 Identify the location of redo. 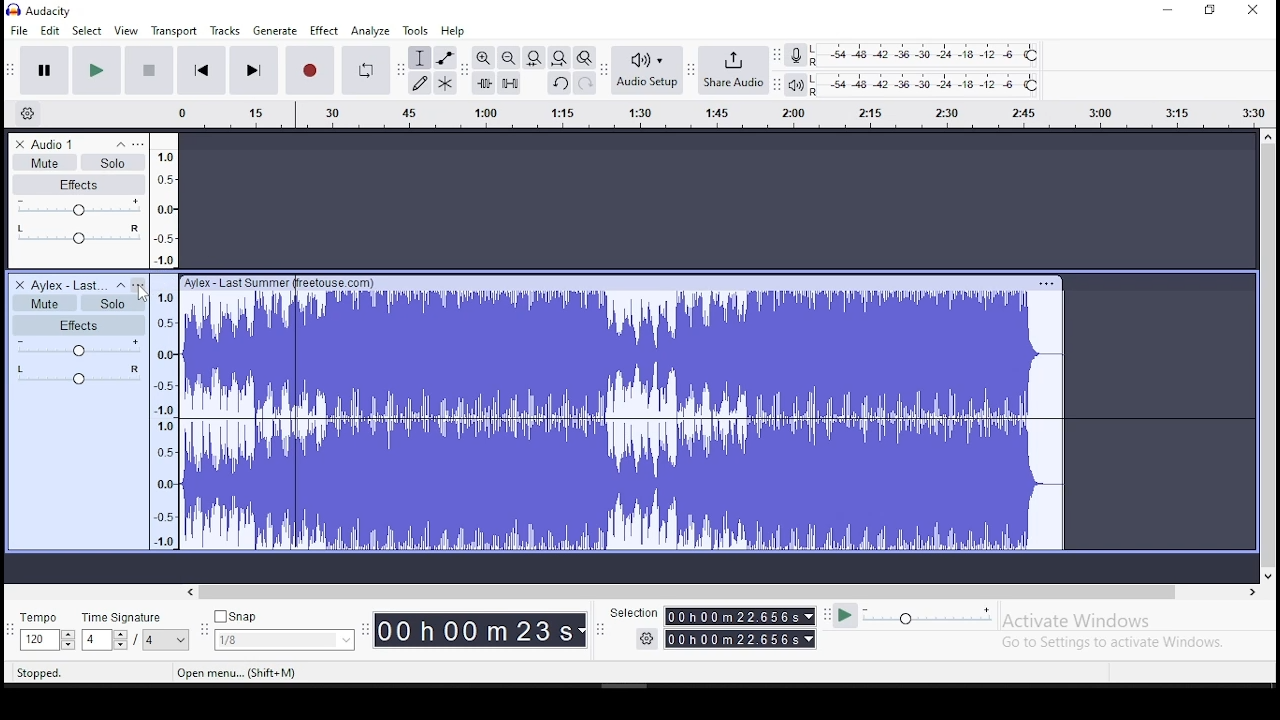
(585, 83).